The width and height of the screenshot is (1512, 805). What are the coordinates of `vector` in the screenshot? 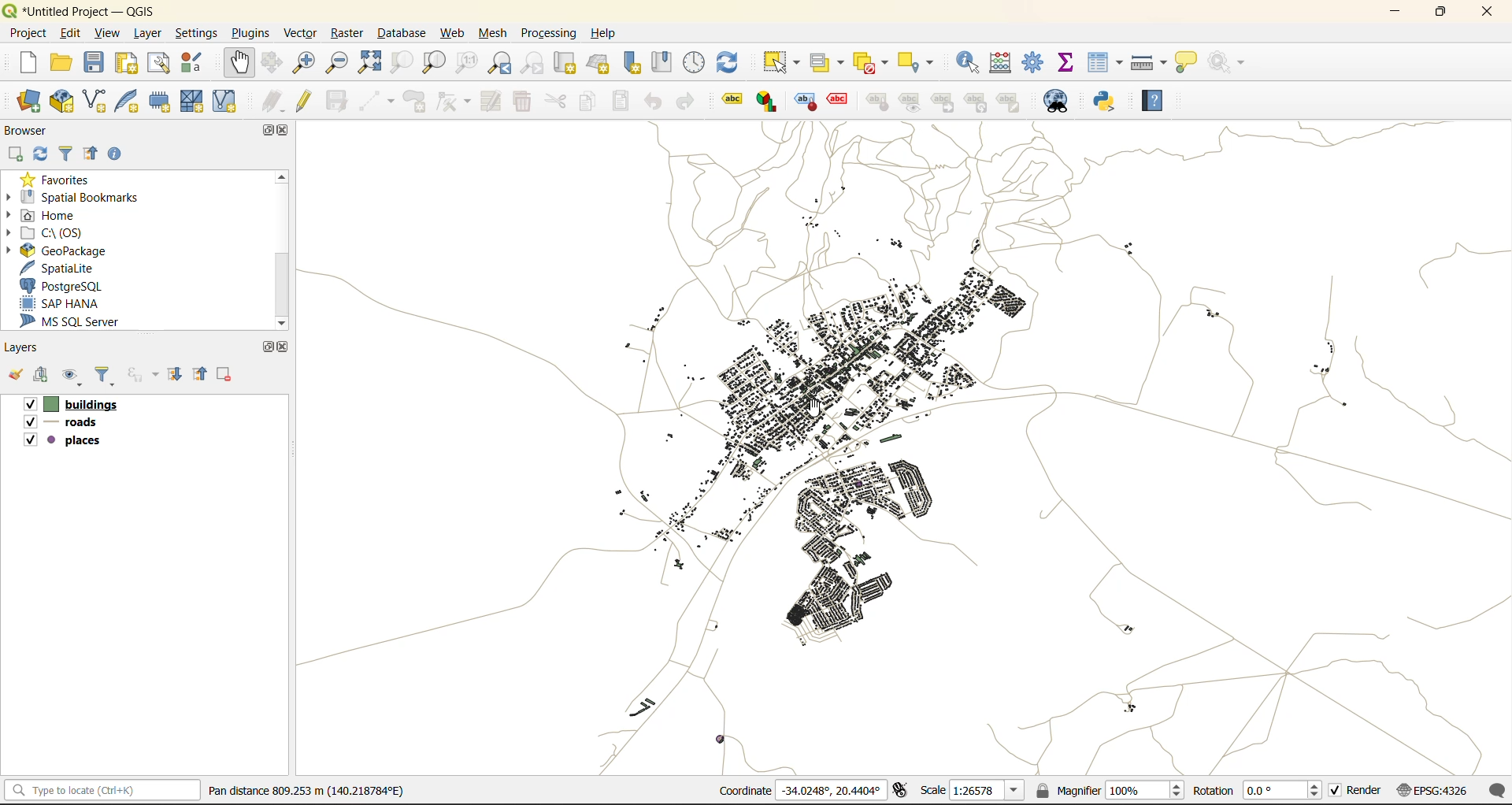 It's located at (301, 32).